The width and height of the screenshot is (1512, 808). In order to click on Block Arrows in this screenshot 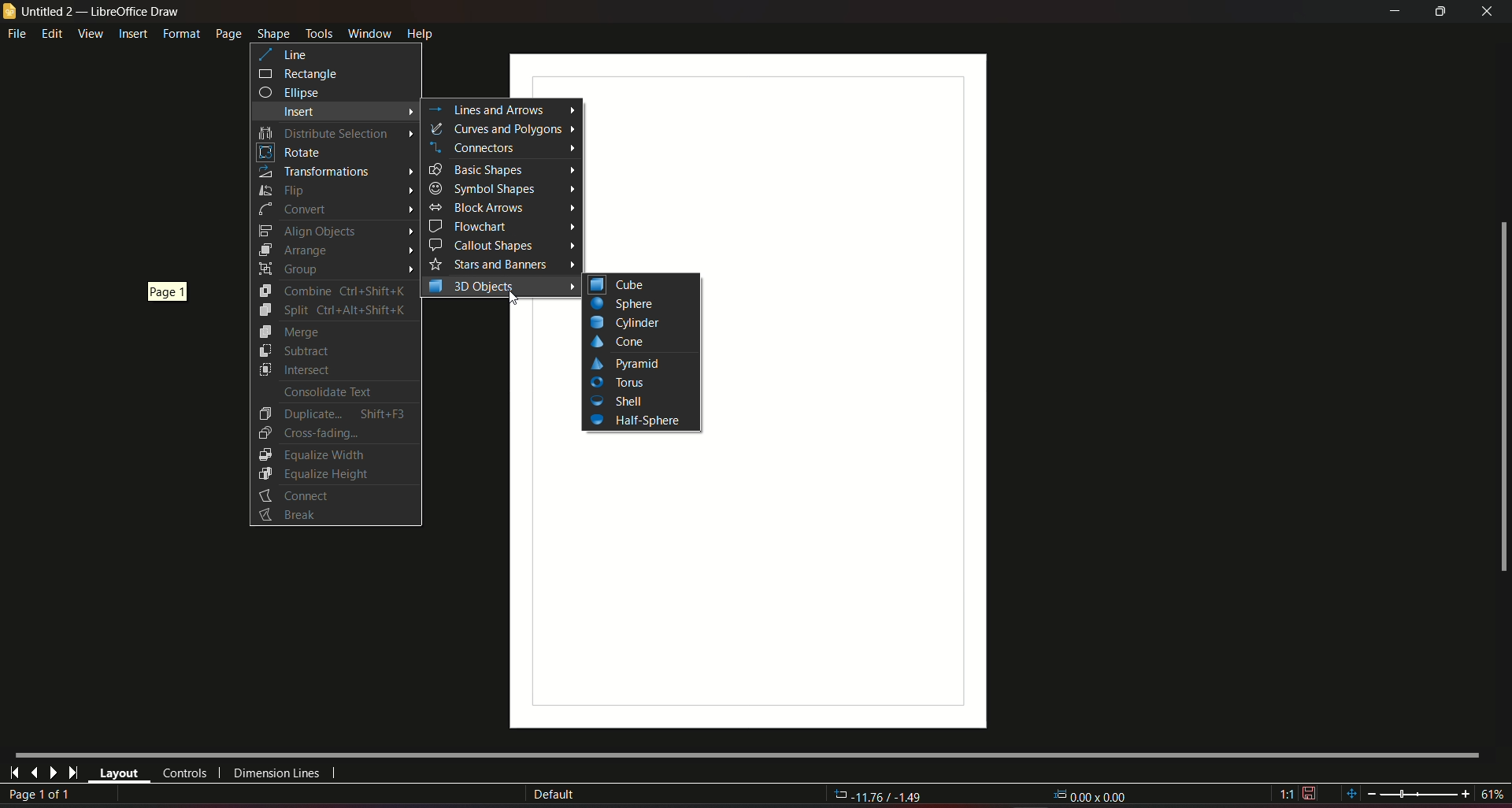, I will do `click(476, 208)`.